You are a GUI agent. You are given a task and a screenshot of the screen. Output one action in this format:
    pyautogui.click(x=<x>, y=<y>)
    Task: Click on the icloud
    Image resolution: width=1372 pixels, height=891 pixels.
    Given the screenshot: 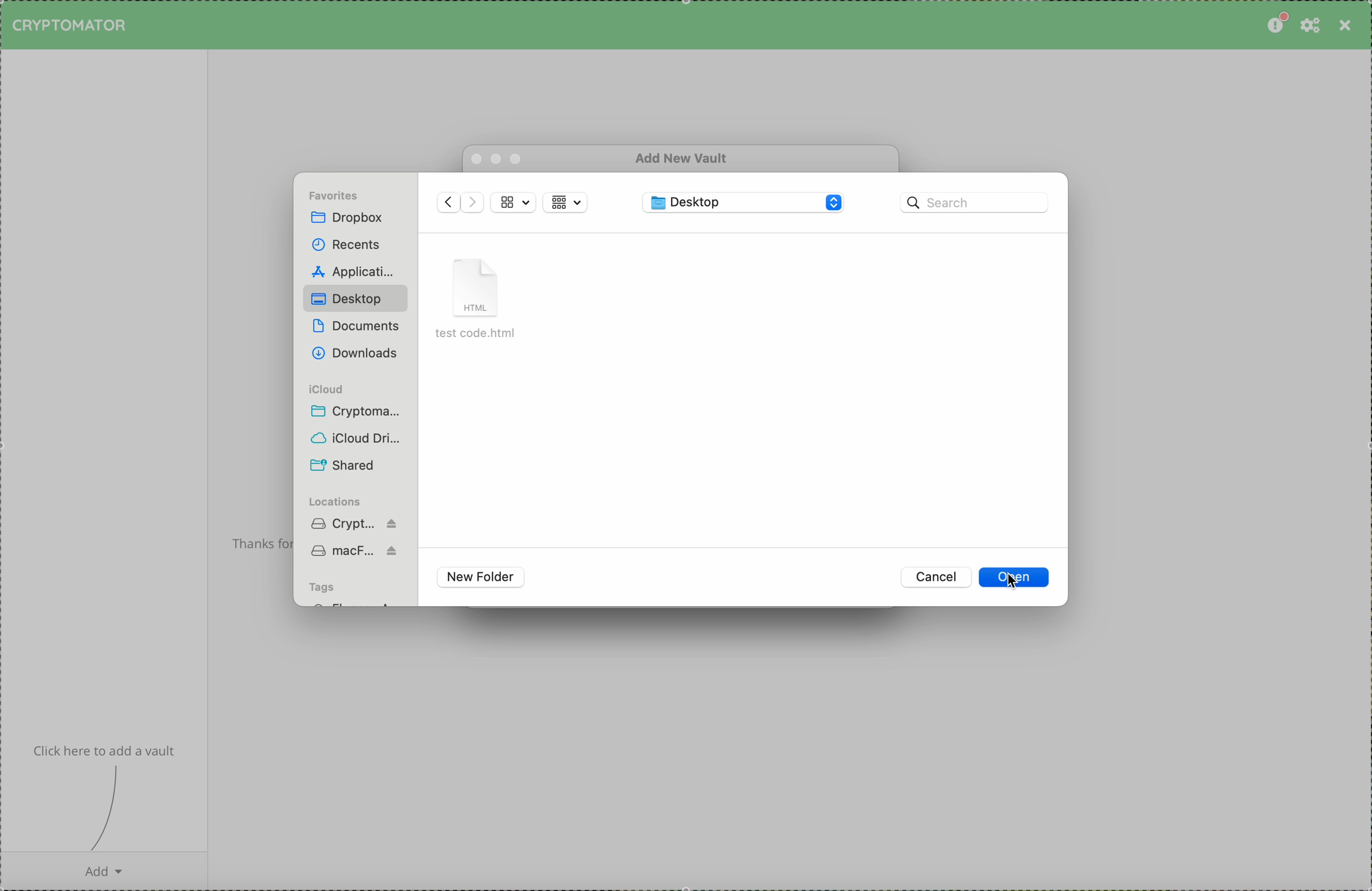 What is the action you would take?
    pyautogui.click(x=353, y=387)
    